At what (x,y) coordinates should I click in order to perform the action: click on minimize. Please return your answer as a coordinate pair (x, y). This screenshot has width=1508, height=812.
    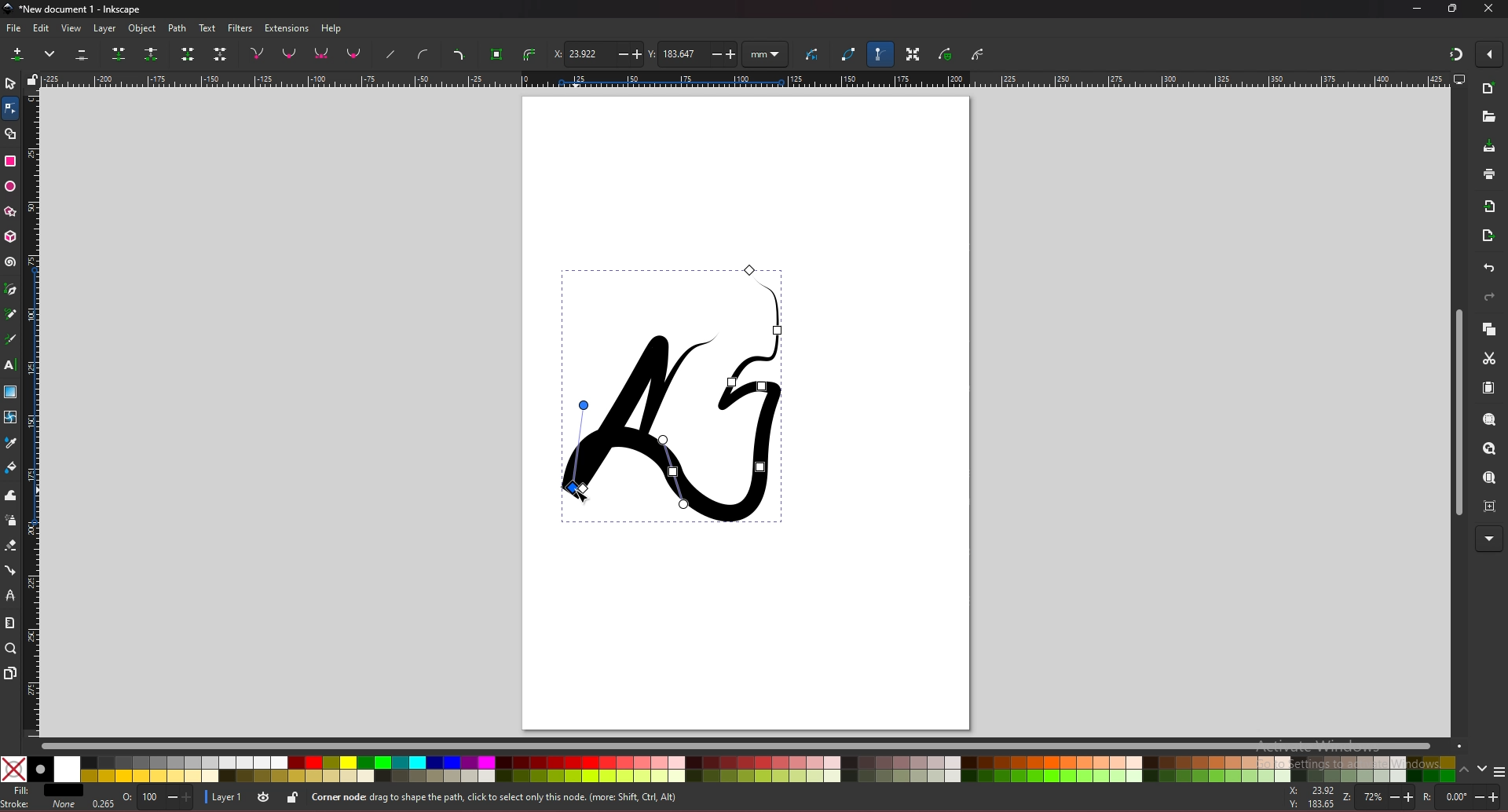
    Looking at the image, I should click on (1418, 9).